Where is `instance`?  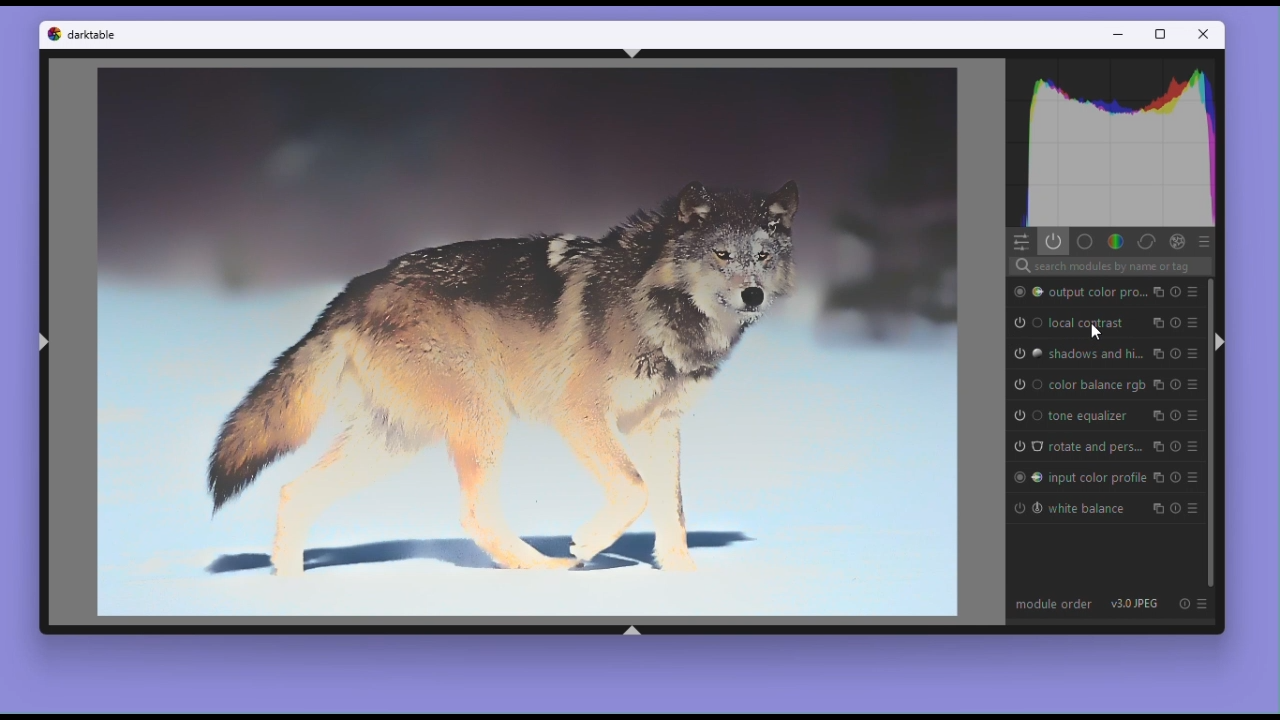
instance is located at coordinates (1160, 448).